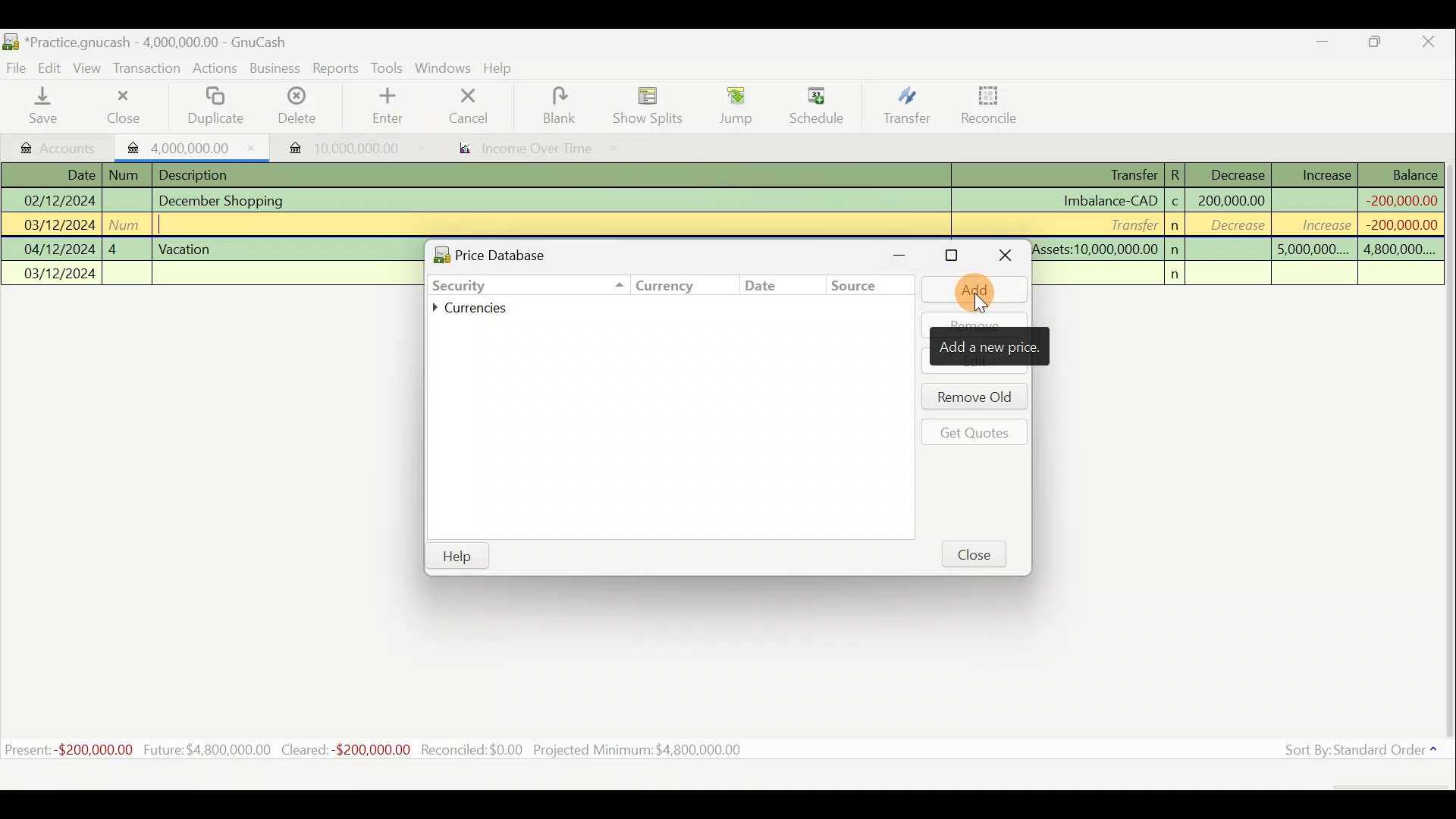  What do you see at coordinates (536, 149) in the screenshot?
I see `income over time` at bounding box center [536, 149].